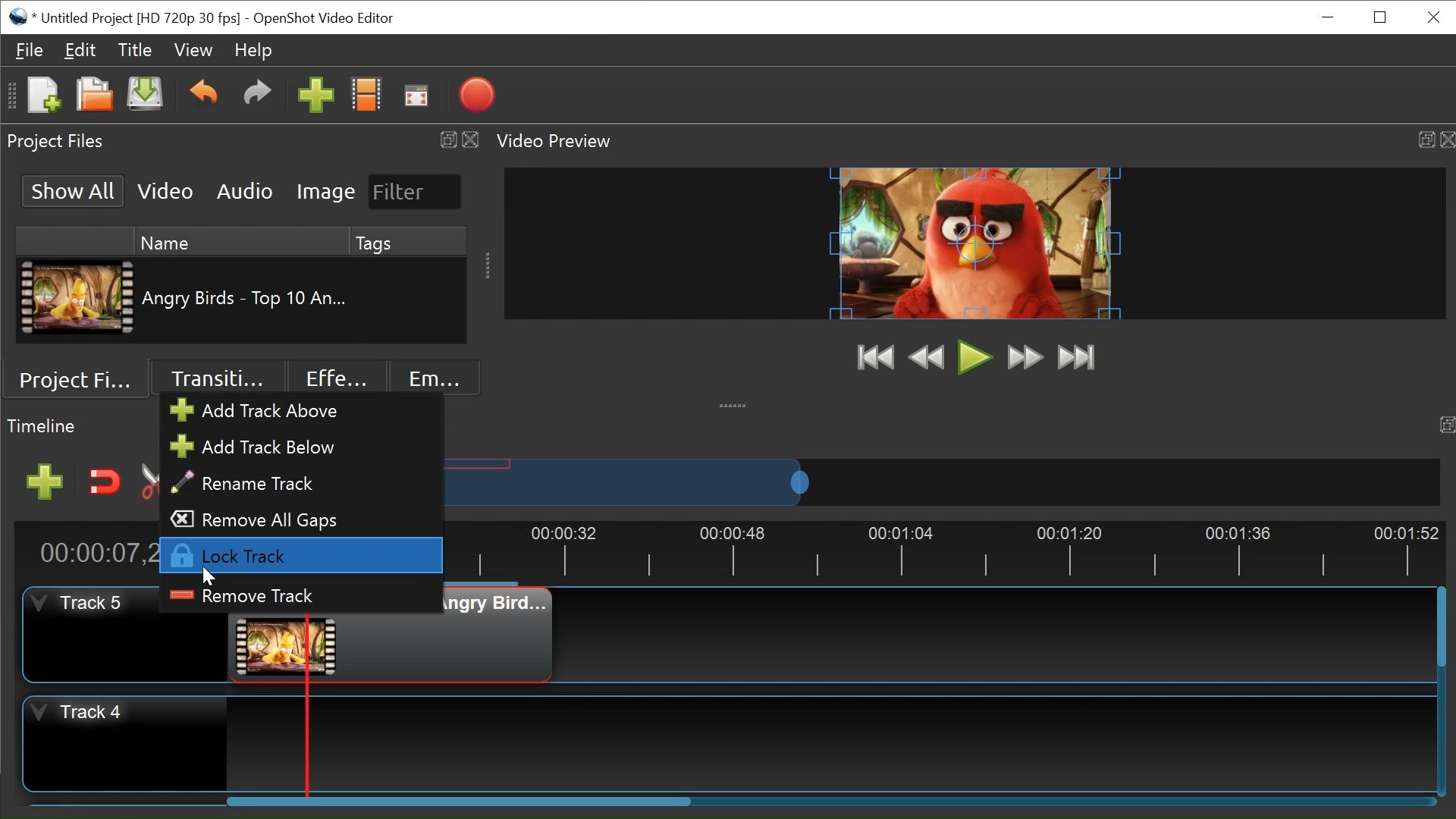 The width and height of the screenshot is (1456, 819). Describe the element at coordinates (1078, 359) in the screenshot. I see `Jump to End` at that location.